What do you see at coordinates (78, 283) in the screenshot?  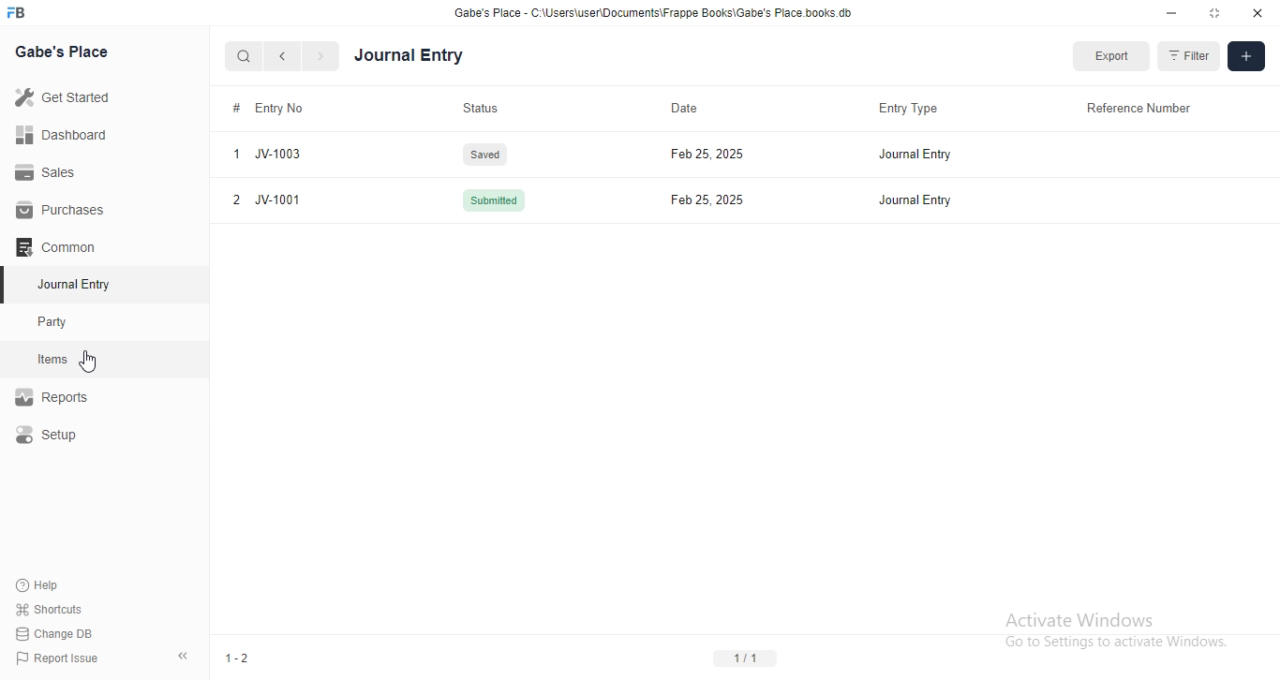 I see `Journal Entry` at bounding box center [78, 283].